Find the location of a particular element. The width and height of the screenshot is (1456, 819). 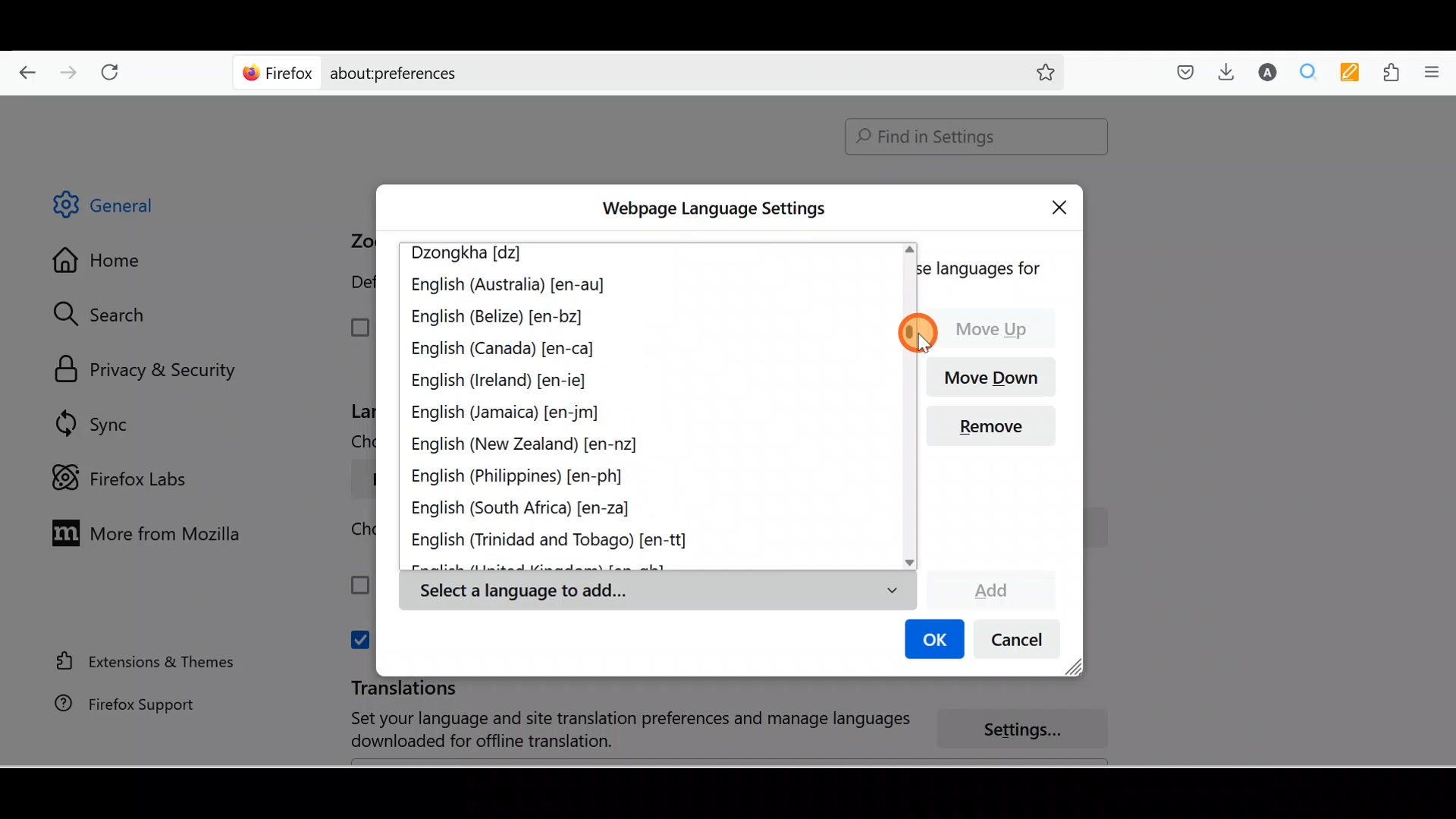

Downloads is located at coordinates (1222, 71).